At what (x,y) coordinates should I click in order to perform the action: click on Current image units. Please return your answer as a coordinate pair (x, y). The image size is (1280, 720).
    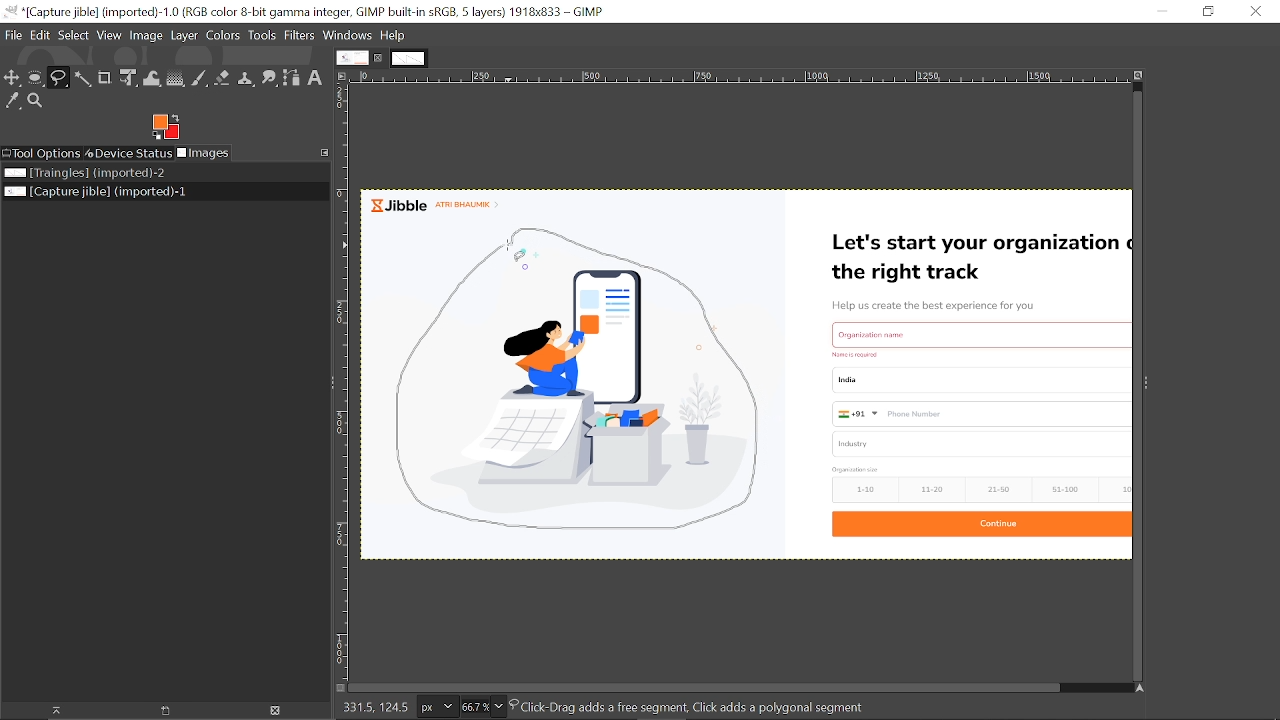
    Looking at the image, I should click on (435, 708).